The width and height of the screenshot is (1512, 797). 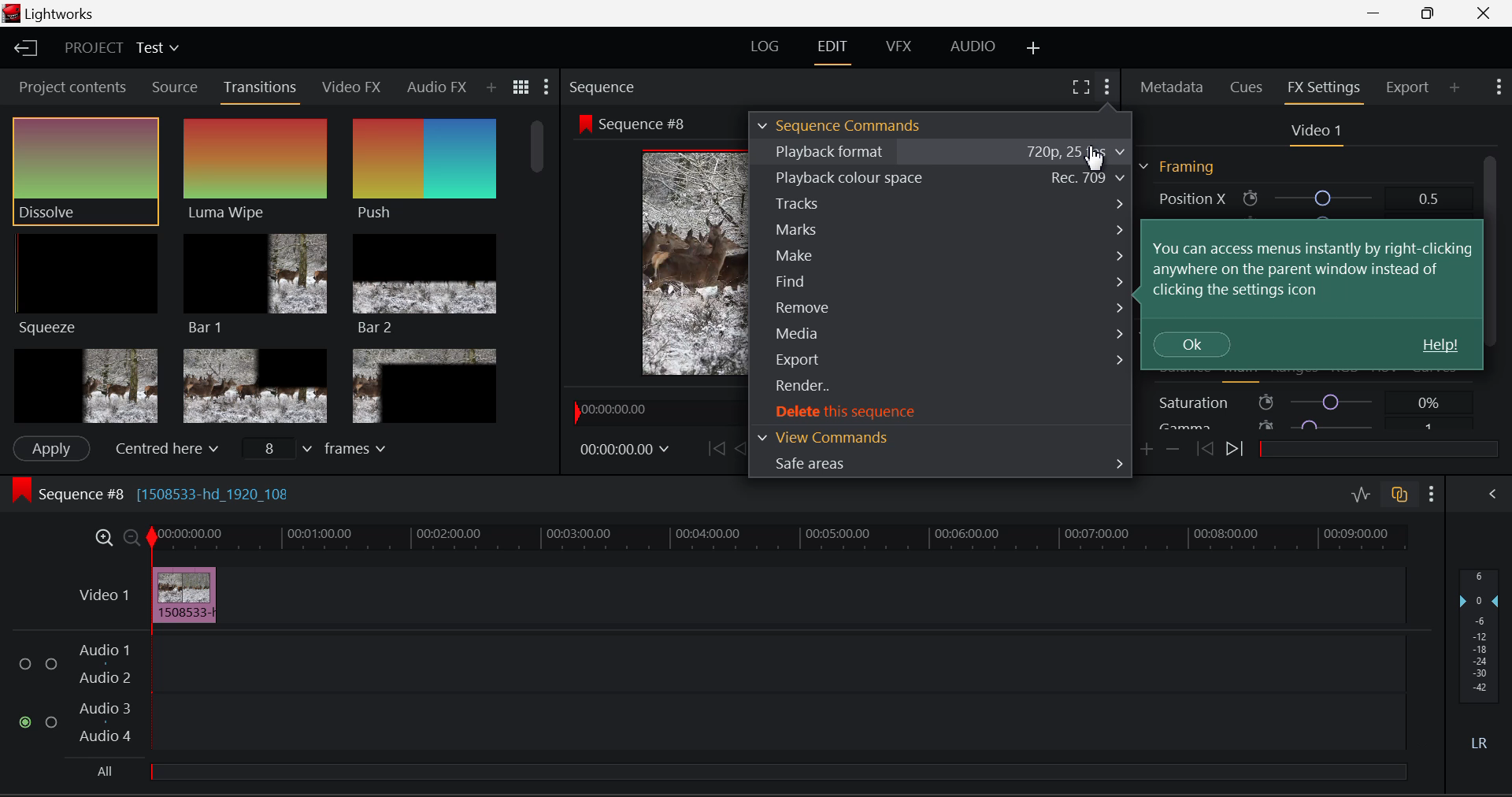 What do you see at coordinates (939, 436) in the screenshot?
I see `View Commands` at bounding box center [939, 436].